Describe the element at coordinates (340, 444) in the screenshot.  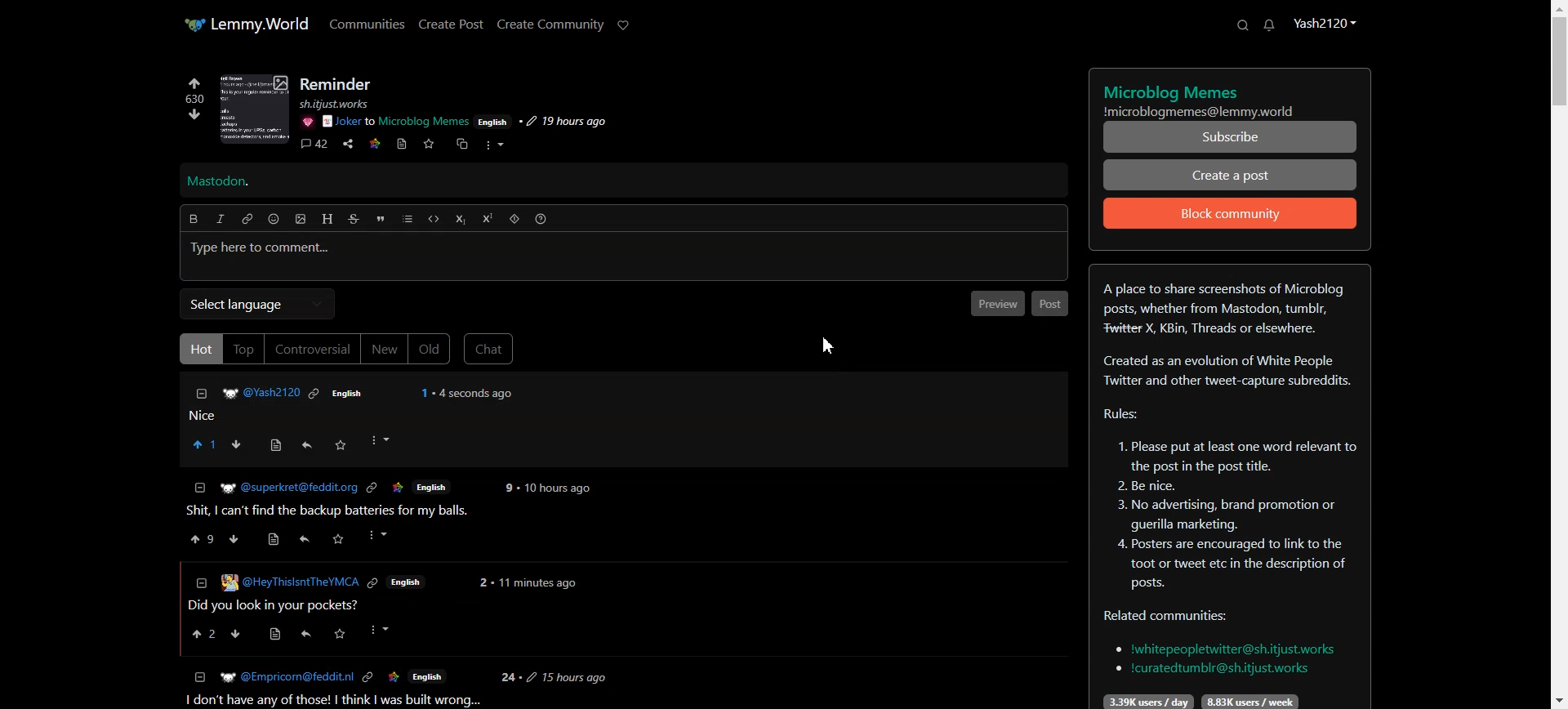
I see `` at that location.